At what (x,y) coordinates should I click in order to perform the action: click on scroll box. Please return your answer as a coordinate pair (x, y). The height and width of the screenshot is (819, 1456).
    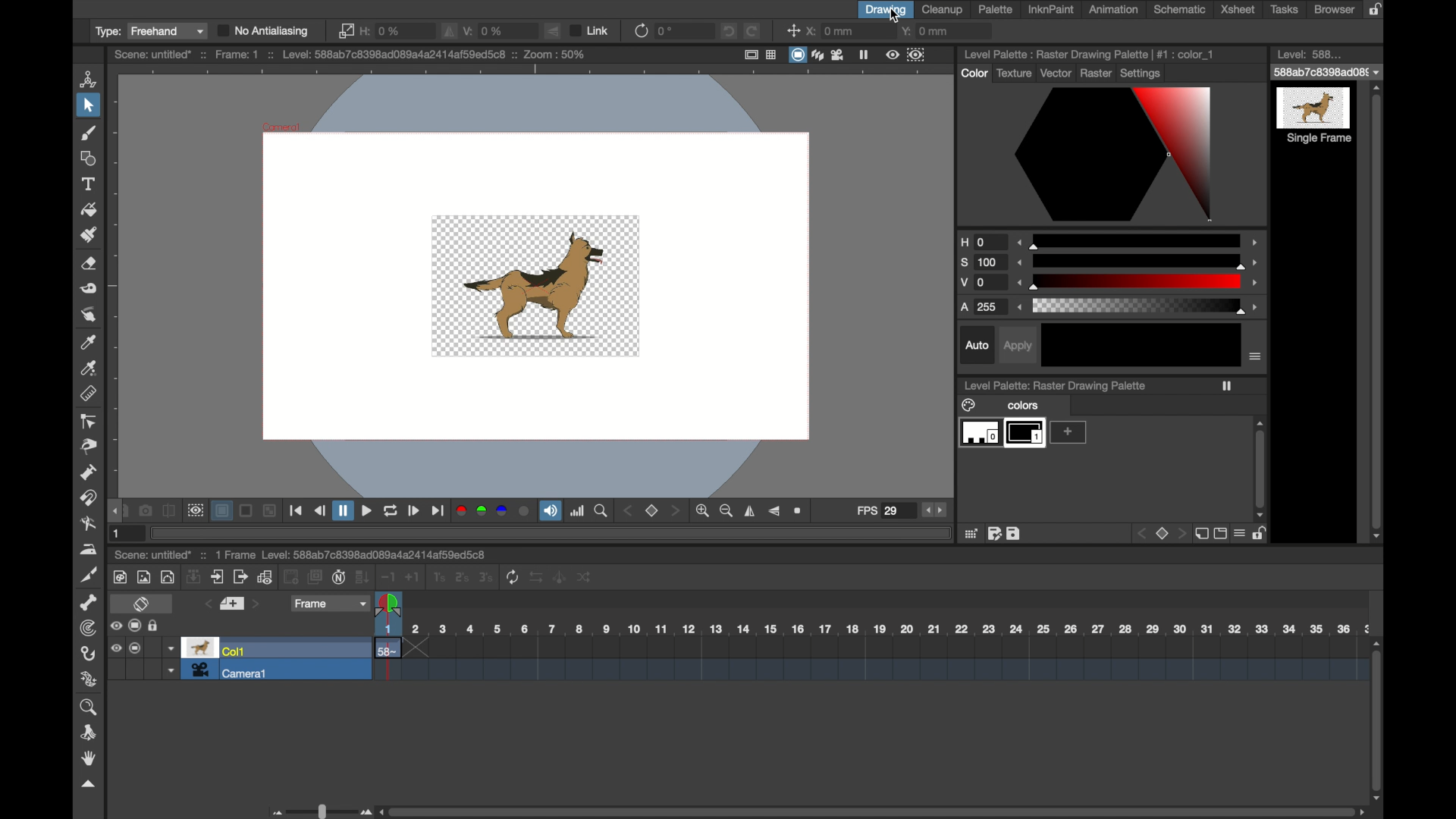
    Looking at the image, I should click on (874, 811).